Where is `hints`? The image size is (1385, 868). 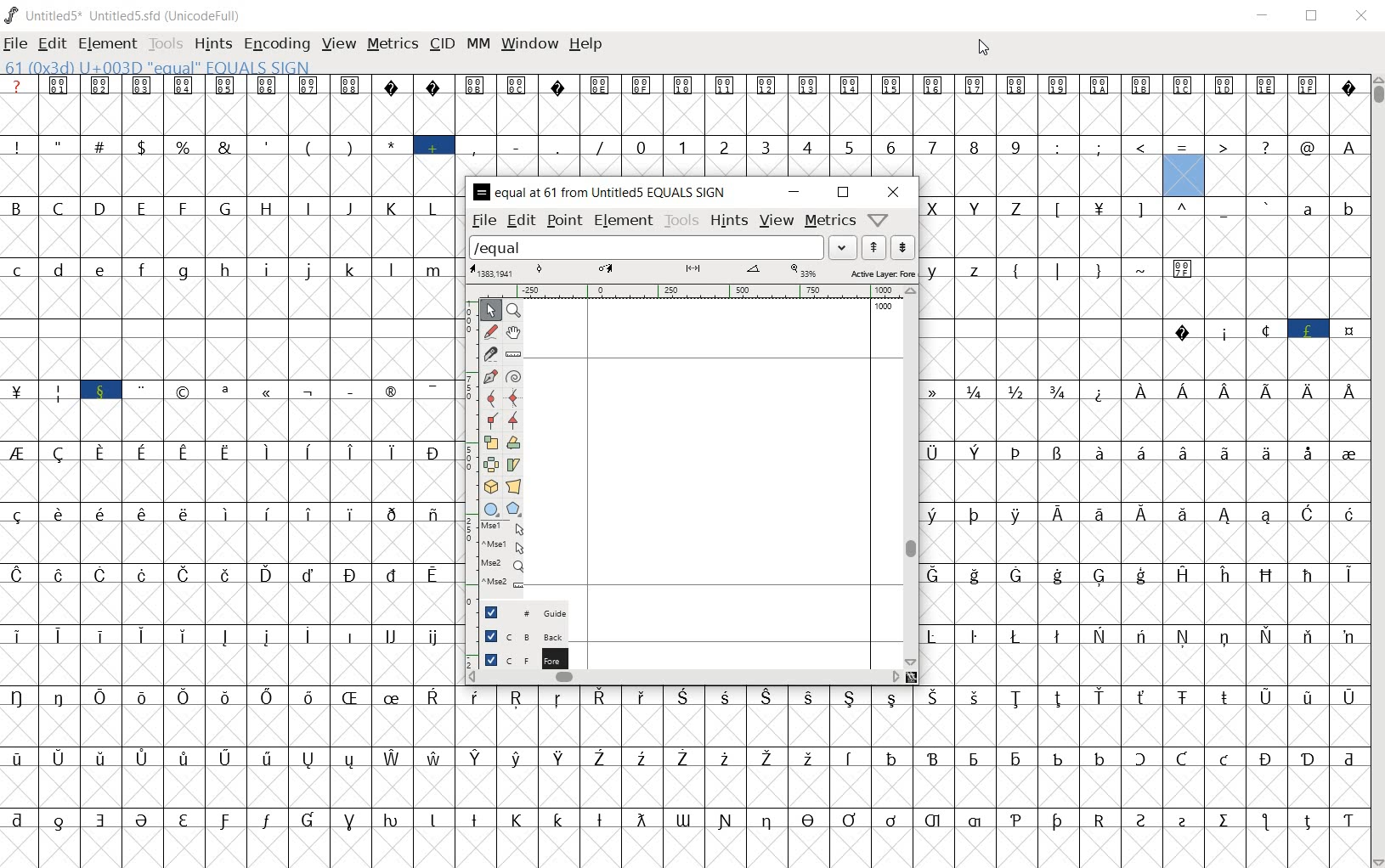 hints is located at coordinates (211, 43).